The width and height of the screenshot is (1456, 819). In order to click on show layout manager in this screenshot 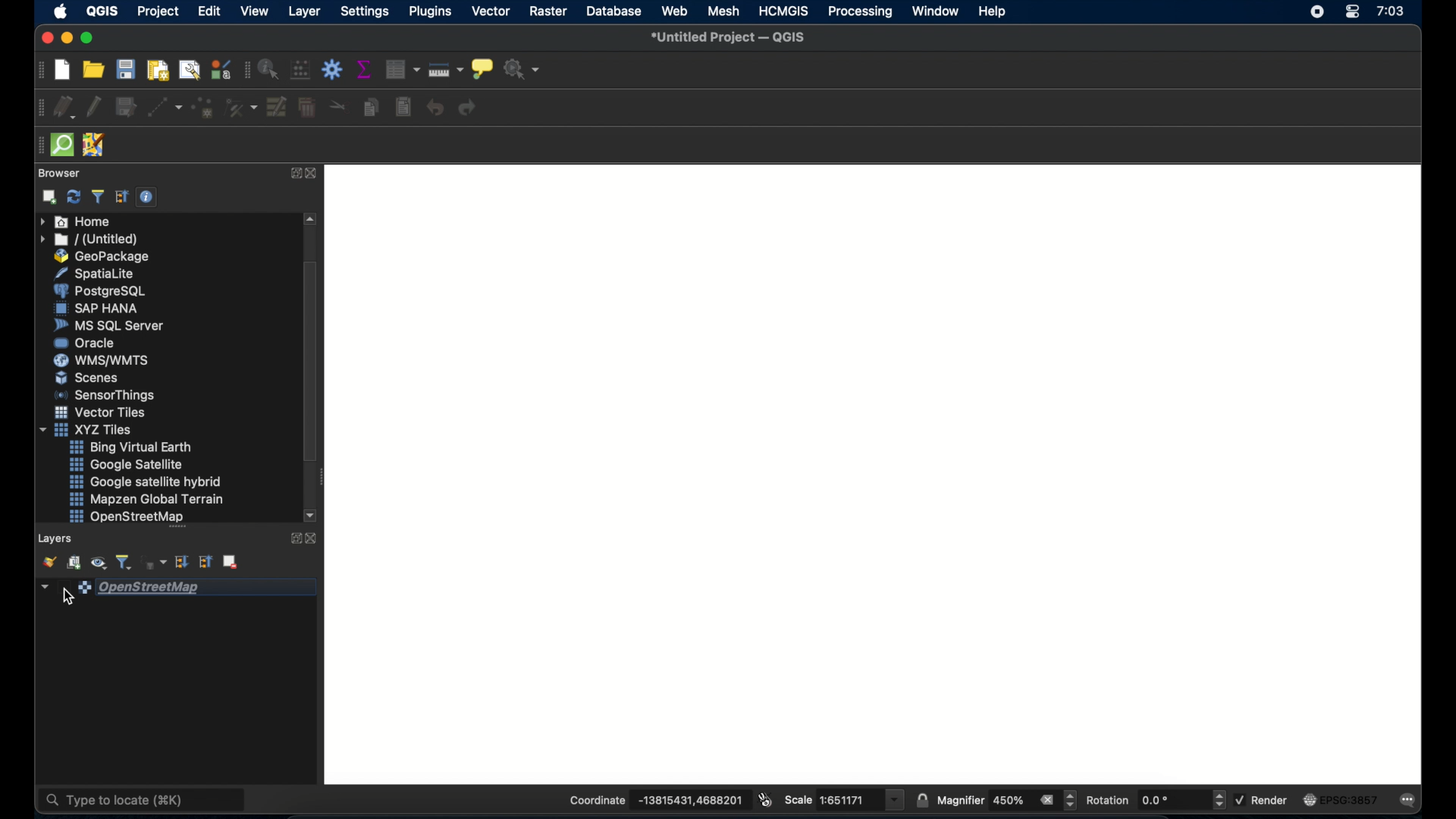, I will do `click(189, 71)`.